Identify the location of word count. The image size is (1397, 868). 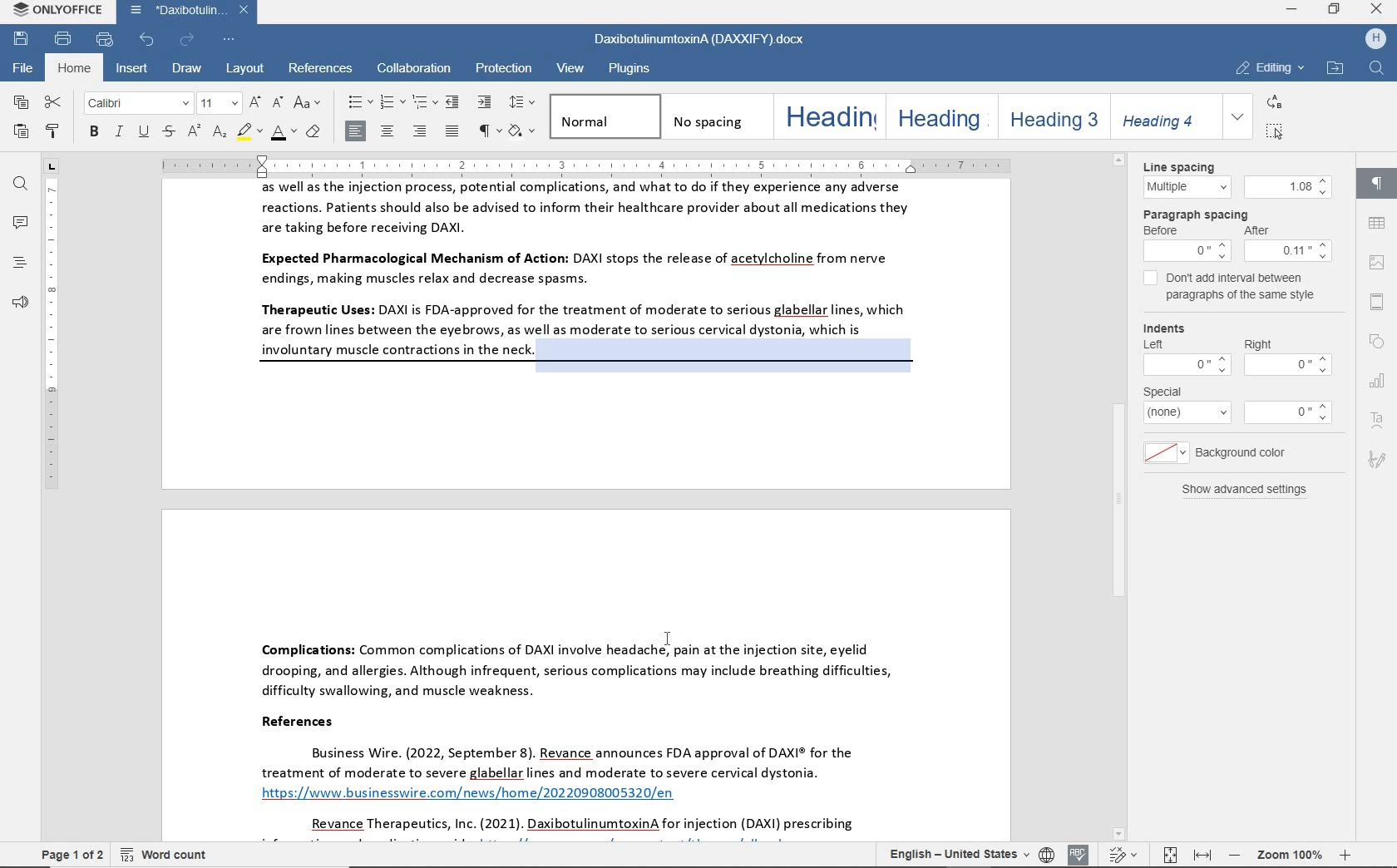
(167, 853).